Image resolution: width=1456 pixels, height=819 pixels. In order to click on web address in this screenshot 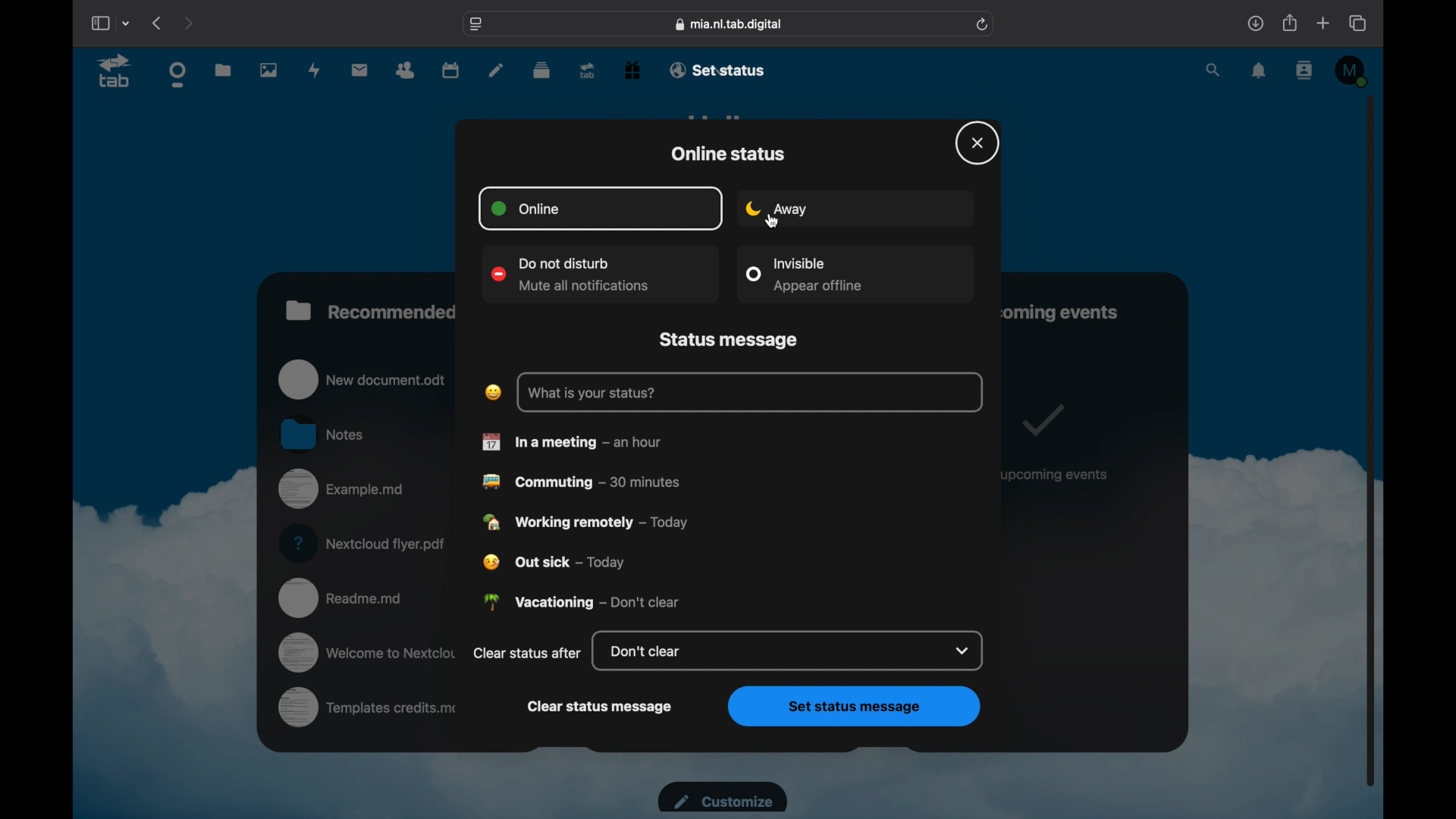, I will do `click(729, 24)`.